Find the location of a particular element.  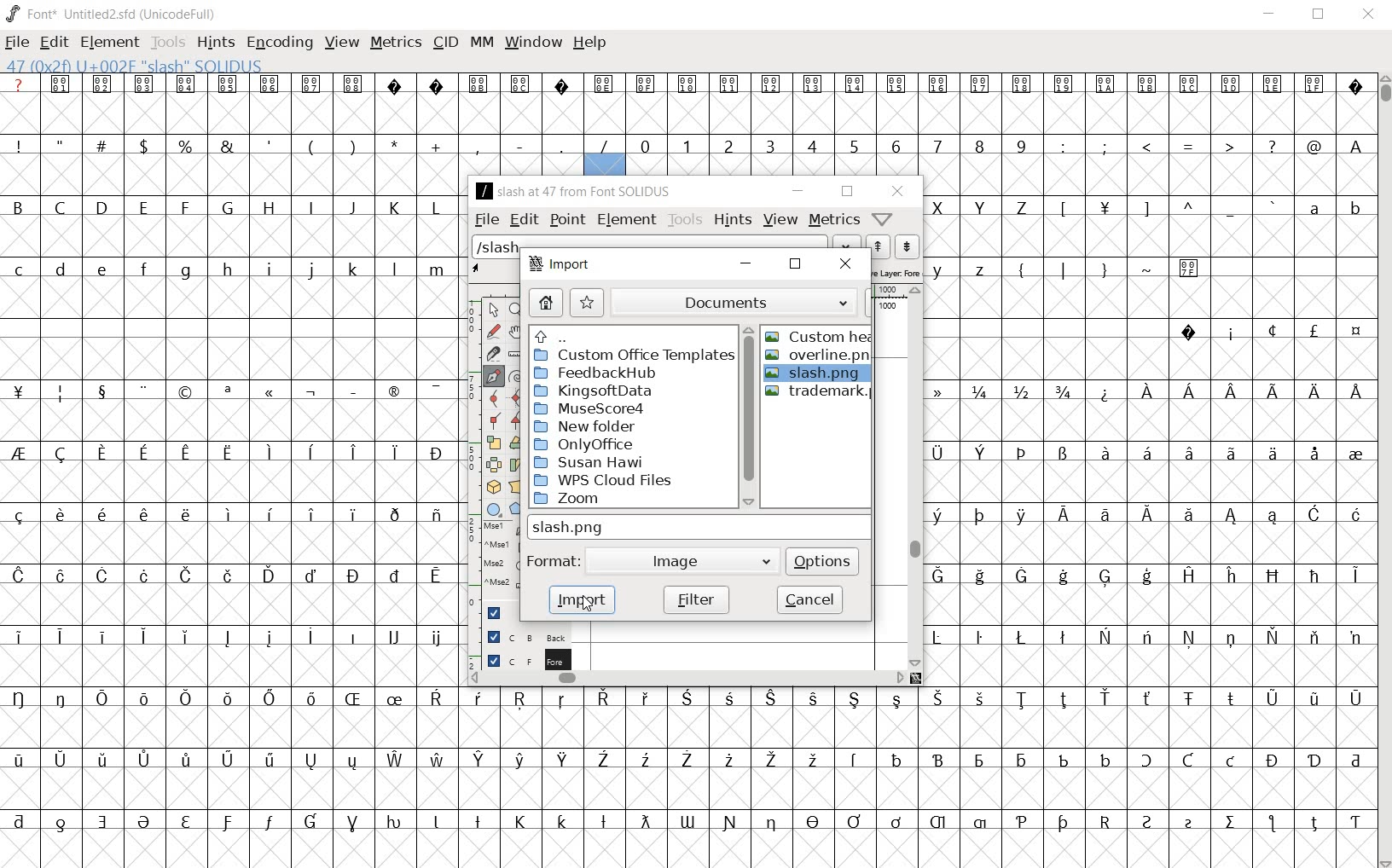

close is located at coordinates (900, 192).